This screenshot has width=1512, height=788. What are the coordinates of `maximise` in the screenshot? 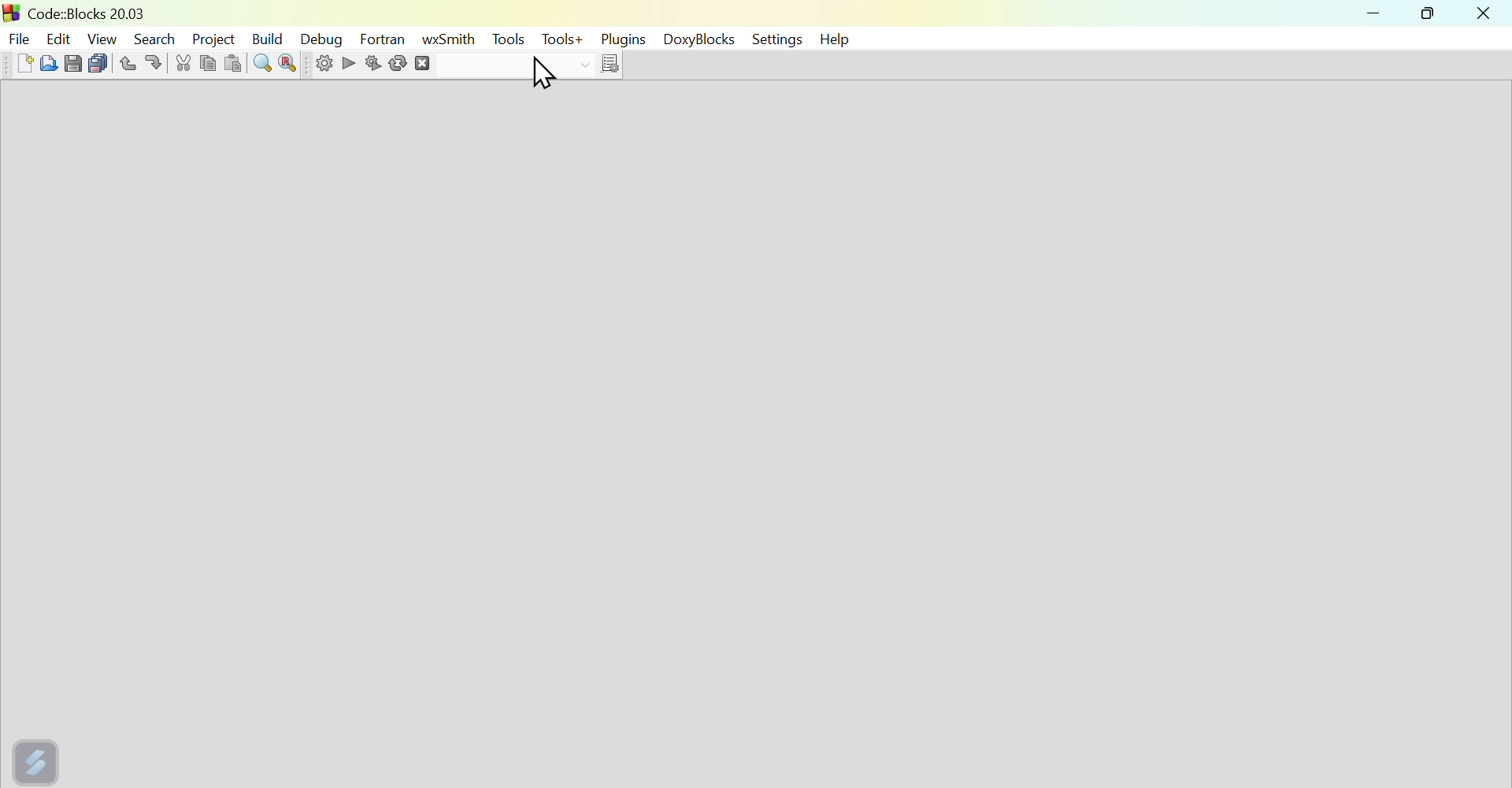 It's located at (1432, 16).